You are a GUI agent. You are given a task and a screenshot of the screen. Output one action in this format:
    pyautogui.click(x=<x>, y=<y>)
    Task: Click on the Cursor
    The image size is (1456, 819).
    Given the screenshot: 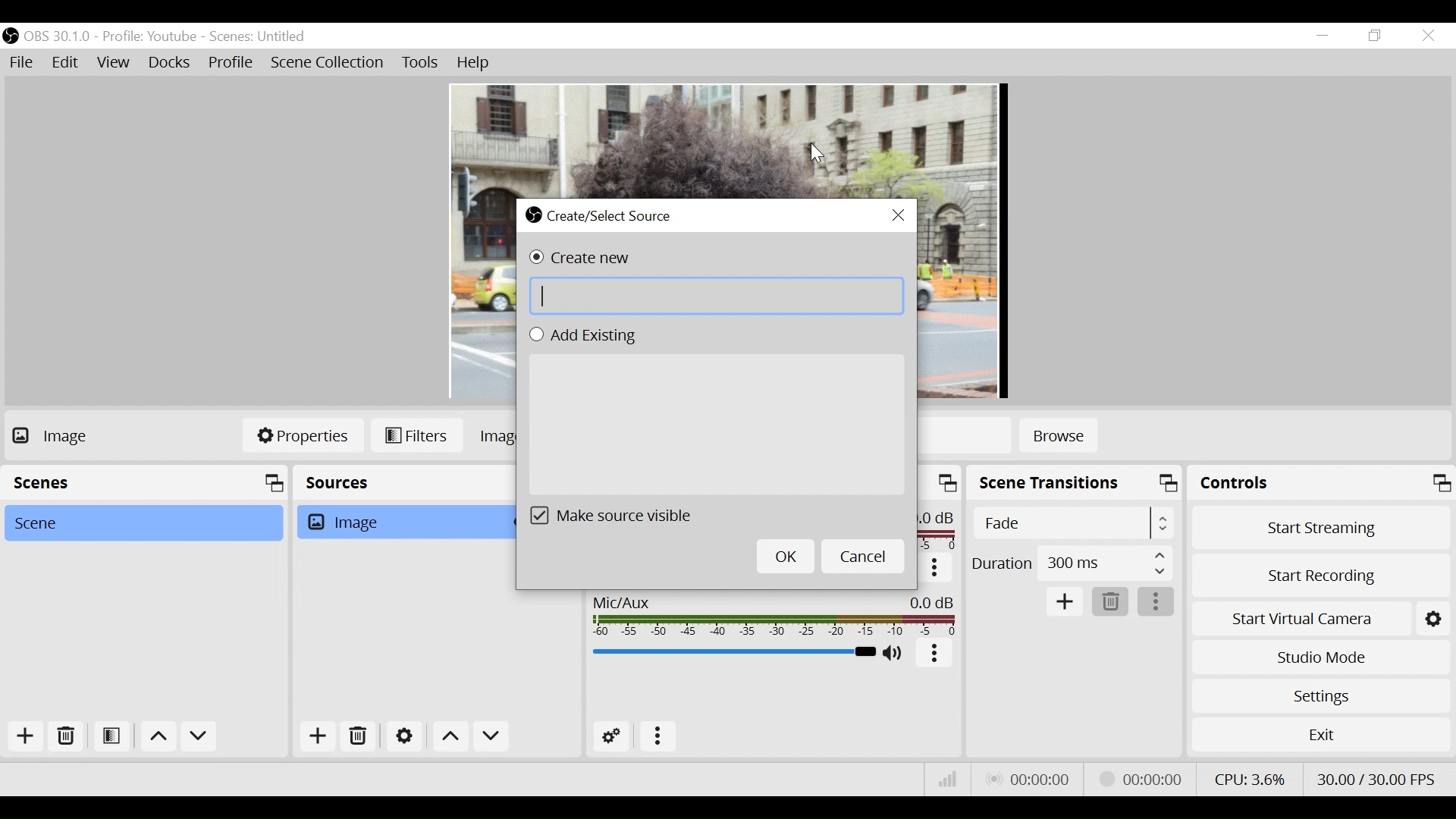 What is the action you would take?
    pyautogui.click(x=817, y=154)
    